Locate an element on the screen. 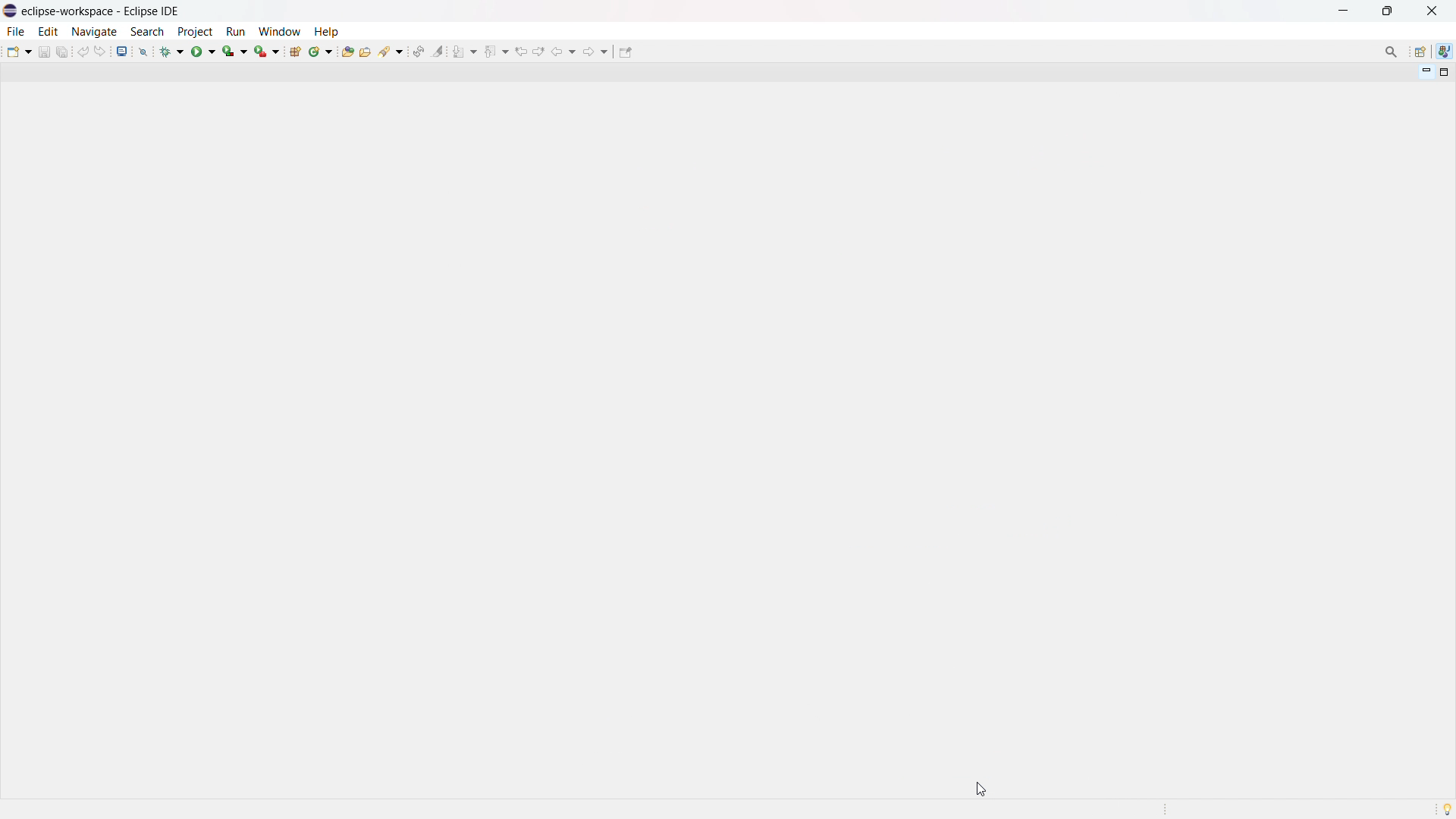  toggle ant mark occurances is located at coordinates (438, 51).